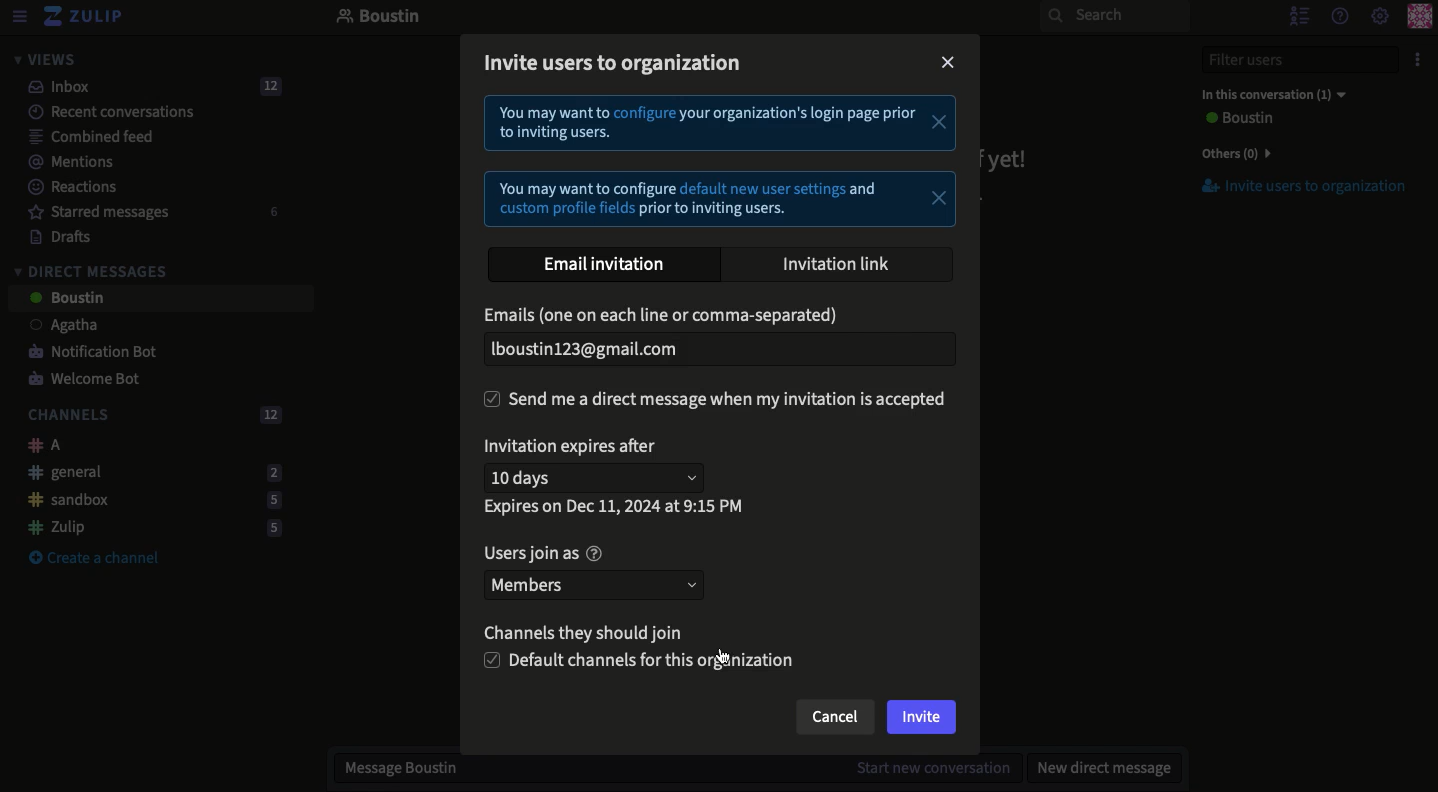  I want to click on Search , so click(1114, 16).